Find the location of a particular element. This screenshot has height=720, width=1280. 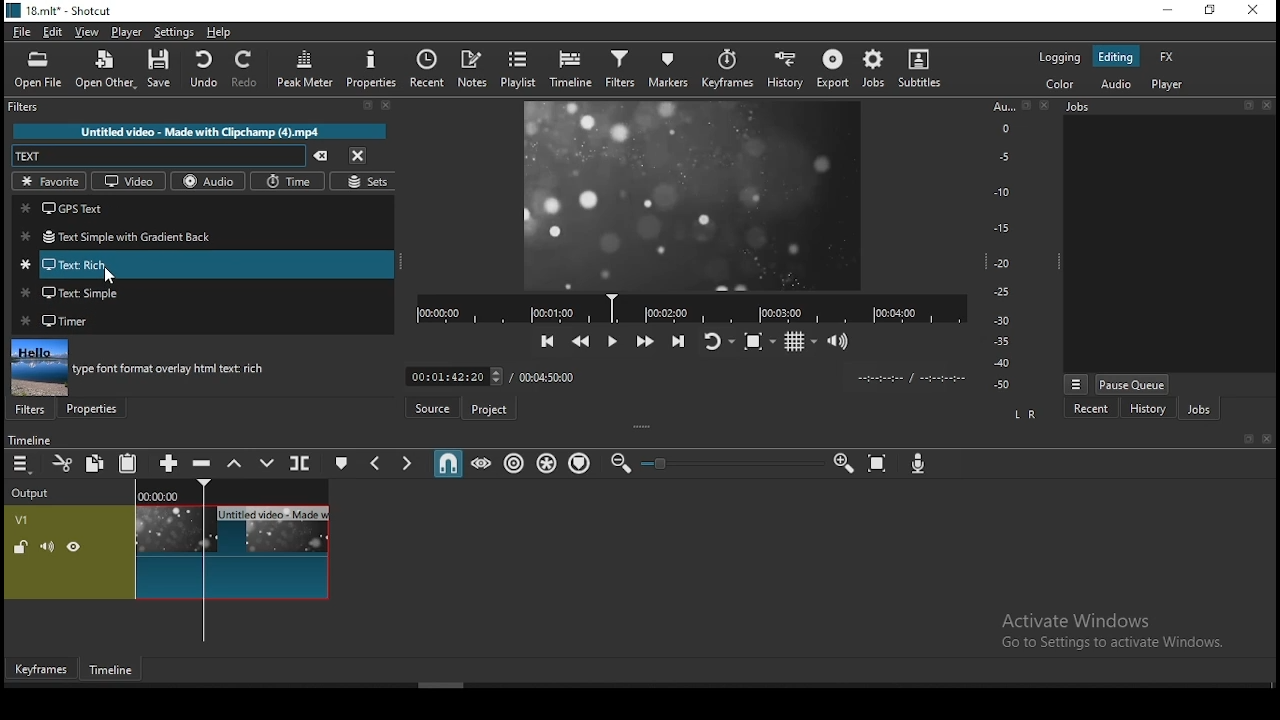

Audio Level is located at coordinates (1009, 246).